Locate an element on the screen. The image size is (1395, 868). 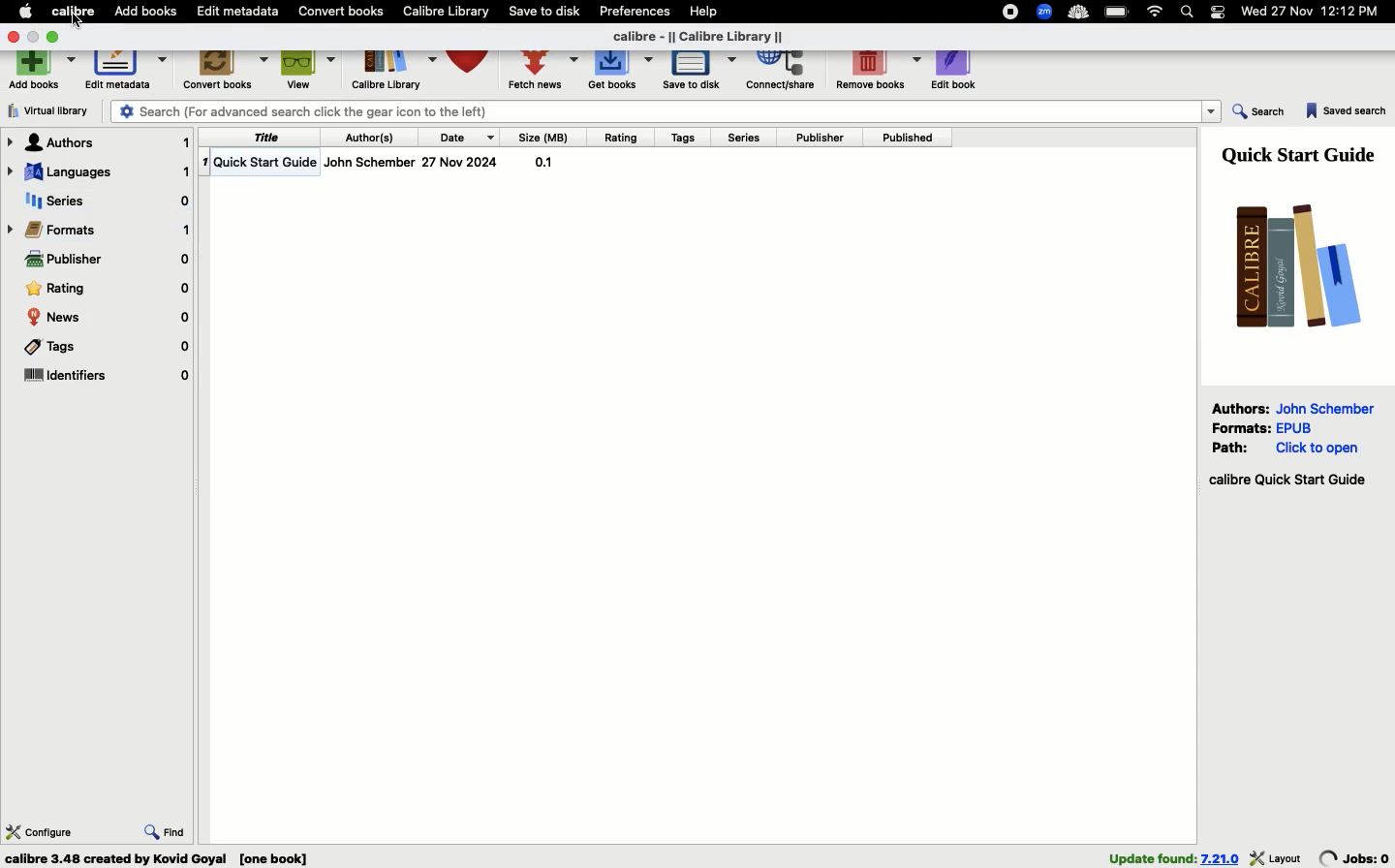
Series is located at coordinates (745, 138).